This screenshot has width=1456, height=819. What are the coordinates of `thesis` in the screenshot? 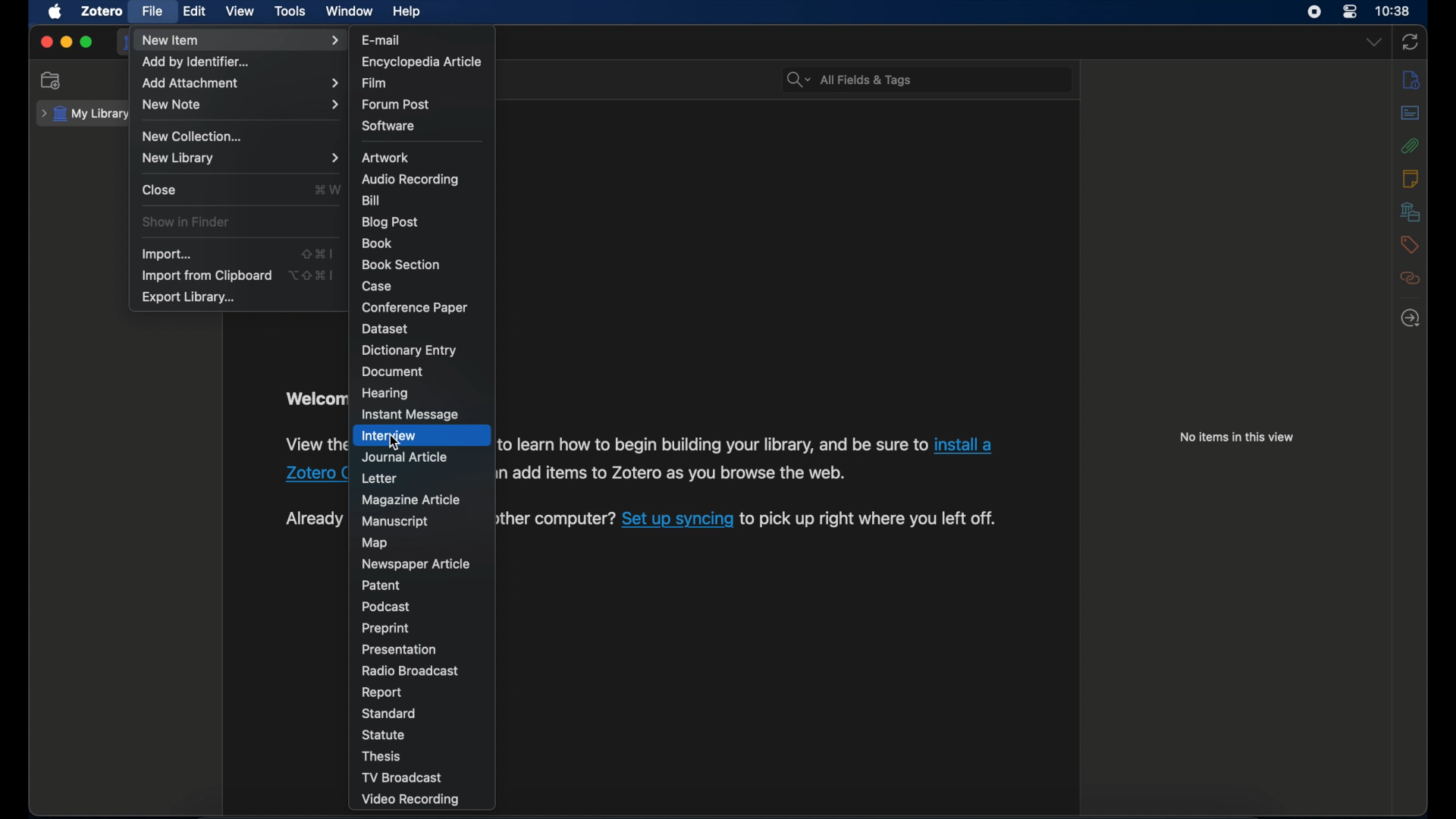 It's located at (381, 757).